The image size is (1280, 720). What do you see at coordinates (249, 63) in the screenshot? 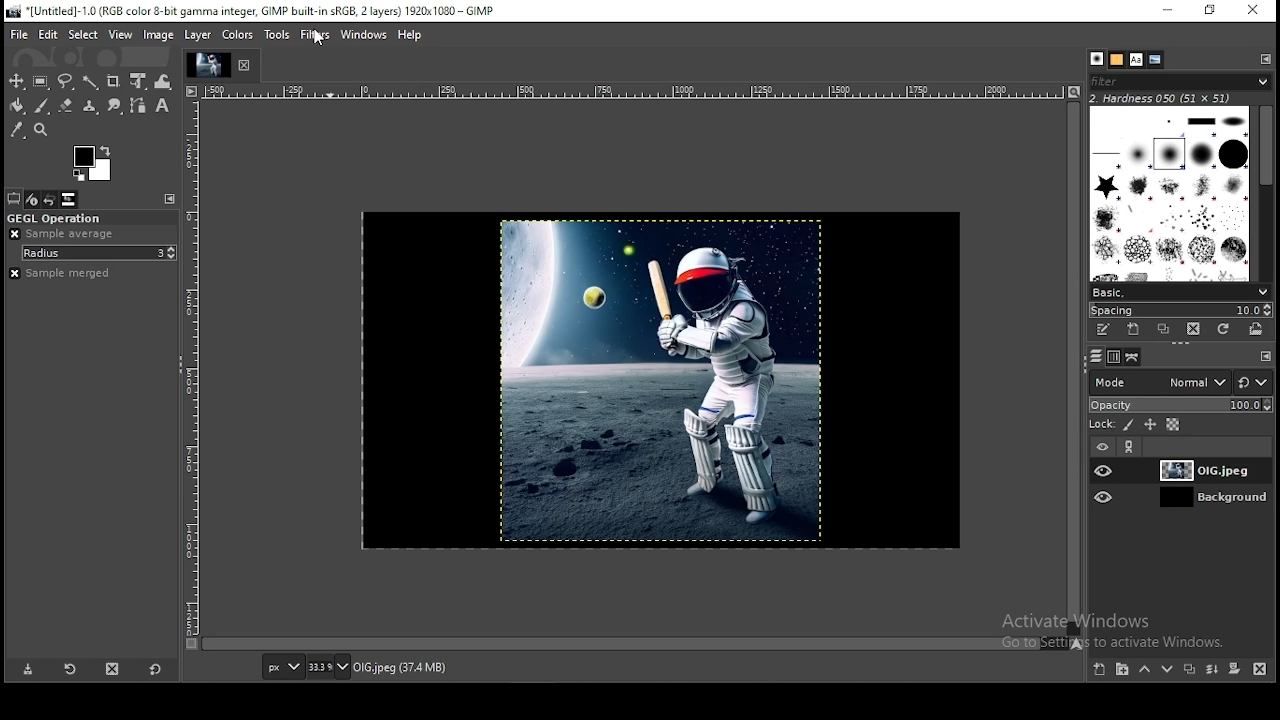
I see `close` at bounding box center [249, 63].